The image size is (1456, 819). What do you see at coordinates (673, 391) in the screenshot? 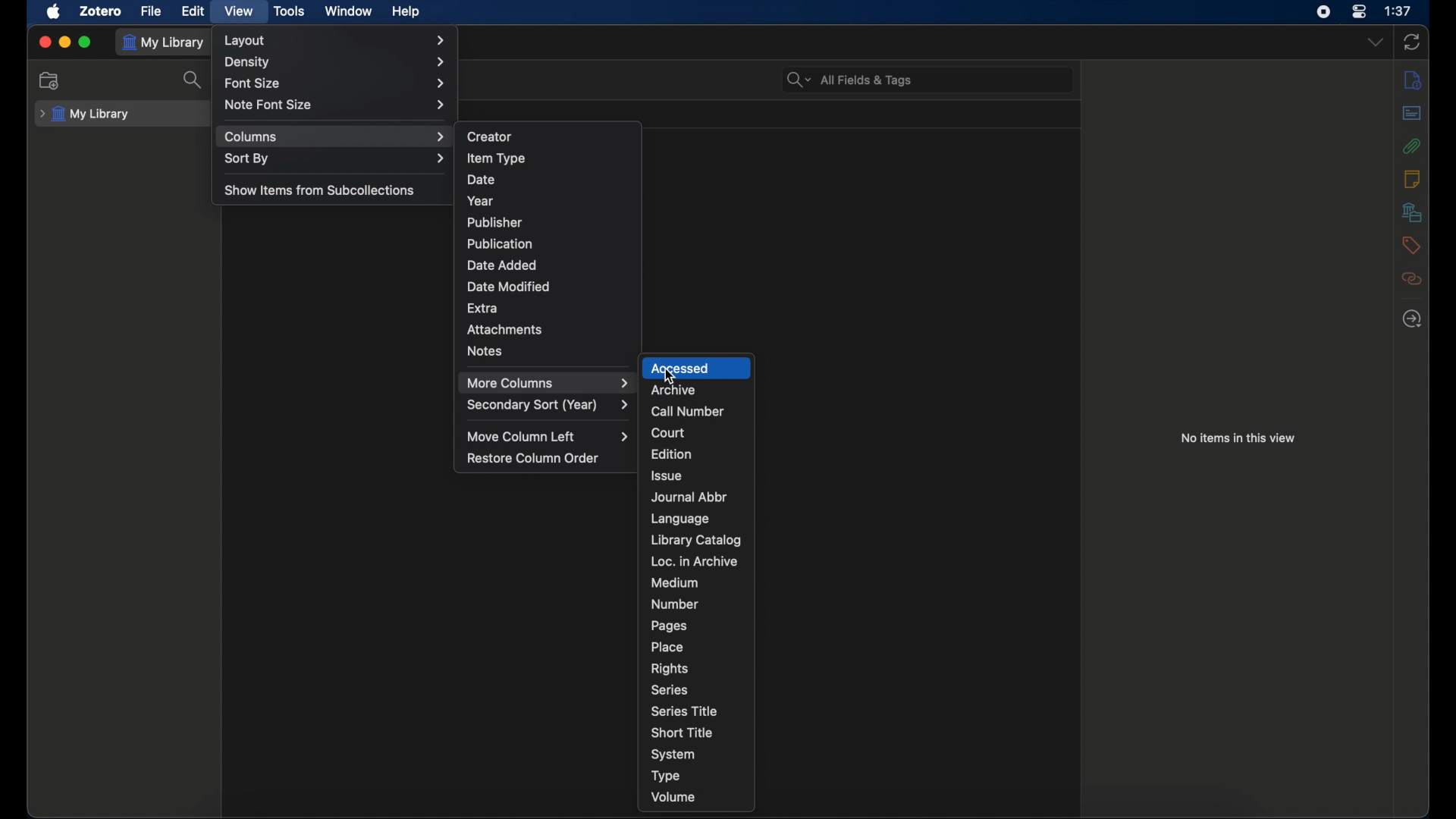
I see `archive` at bounding box center [673, 391].